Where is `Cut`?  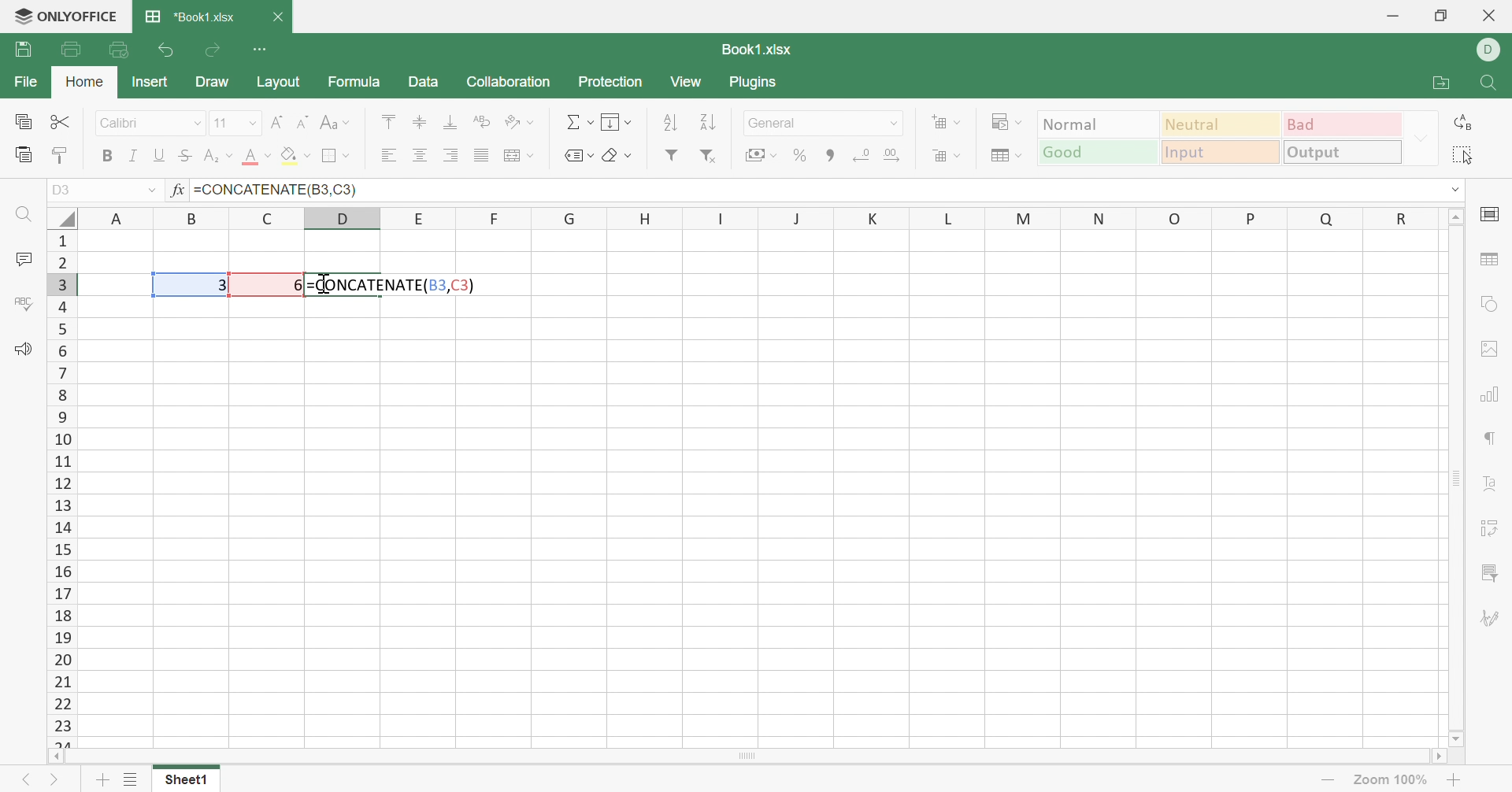
Cut is located at coordinates (60, 121).